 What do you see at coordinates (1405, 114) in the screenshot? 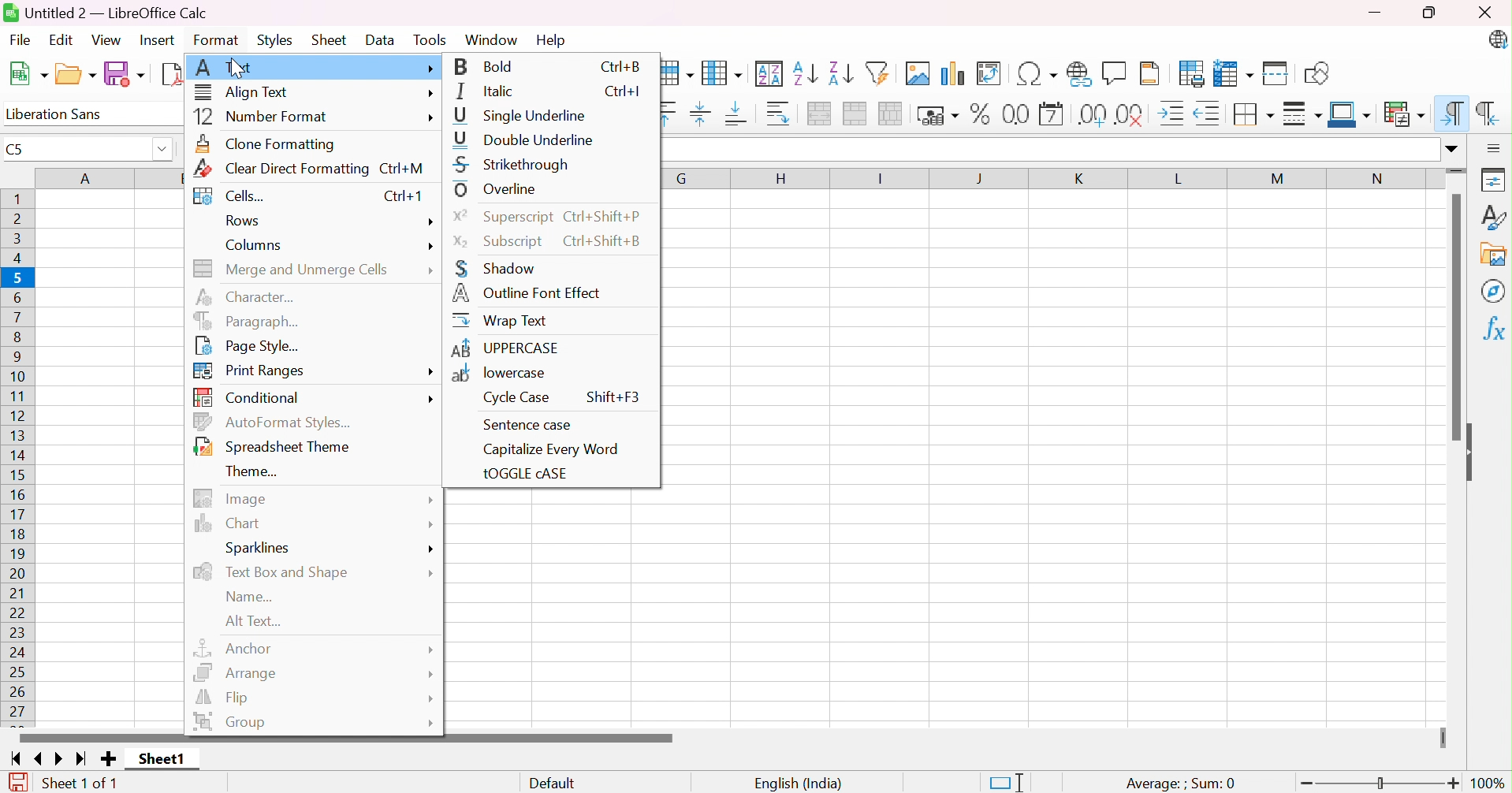
I see `Conditional` at bounding box center [1405, 114].